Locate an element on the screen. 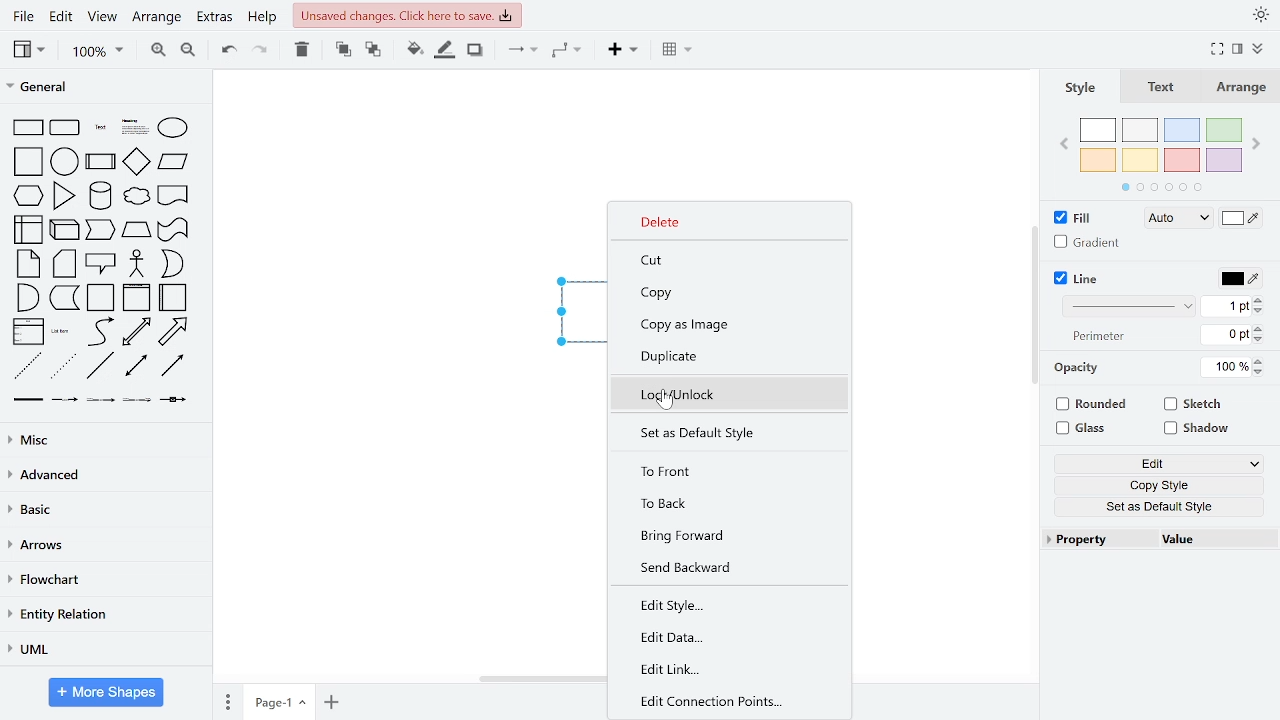 The image size is (1280, 720). Cursor is located at coordinates (666, 401).